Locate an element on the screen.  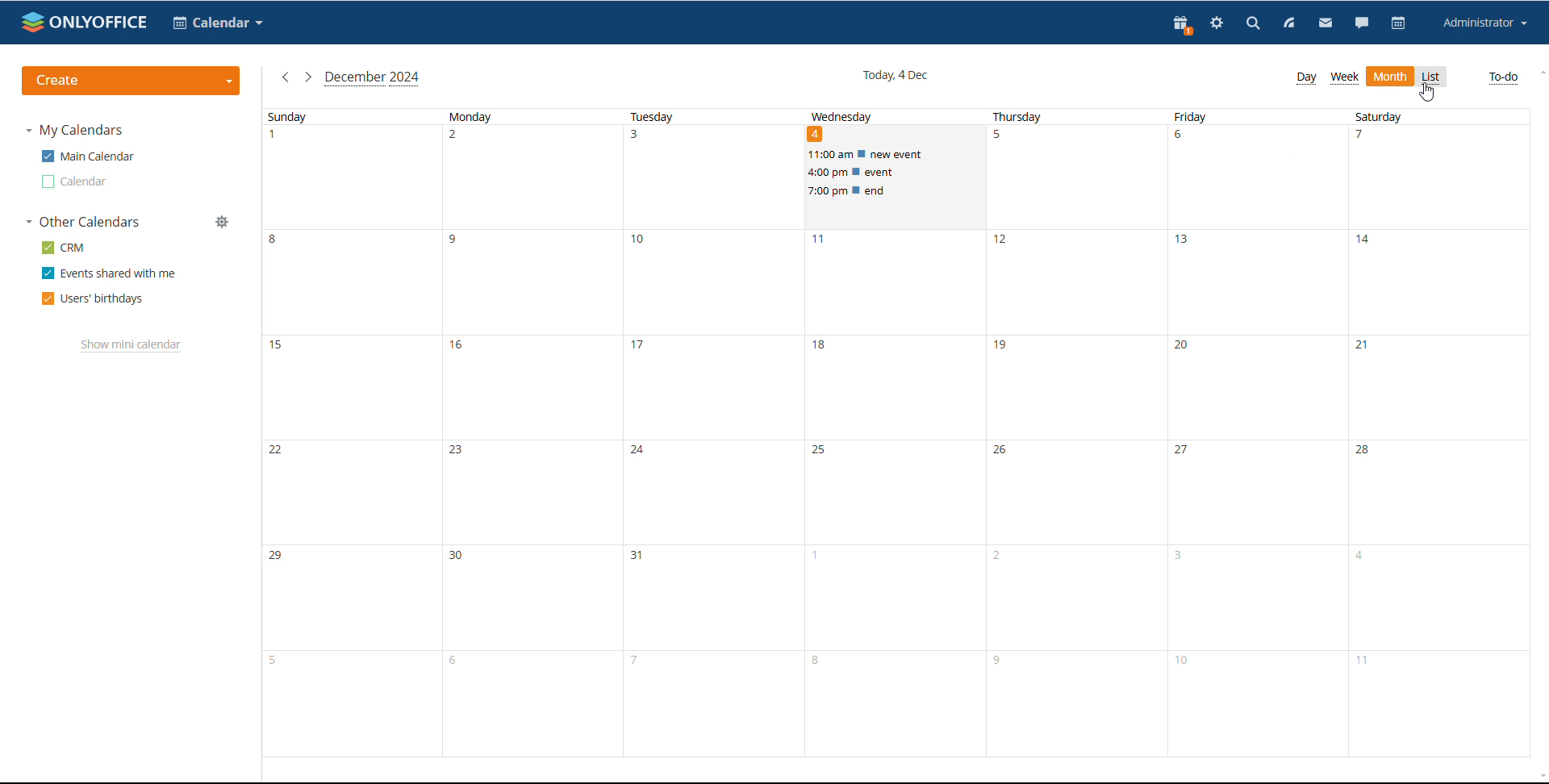
events shared with me is located at coordinates (108, 273).